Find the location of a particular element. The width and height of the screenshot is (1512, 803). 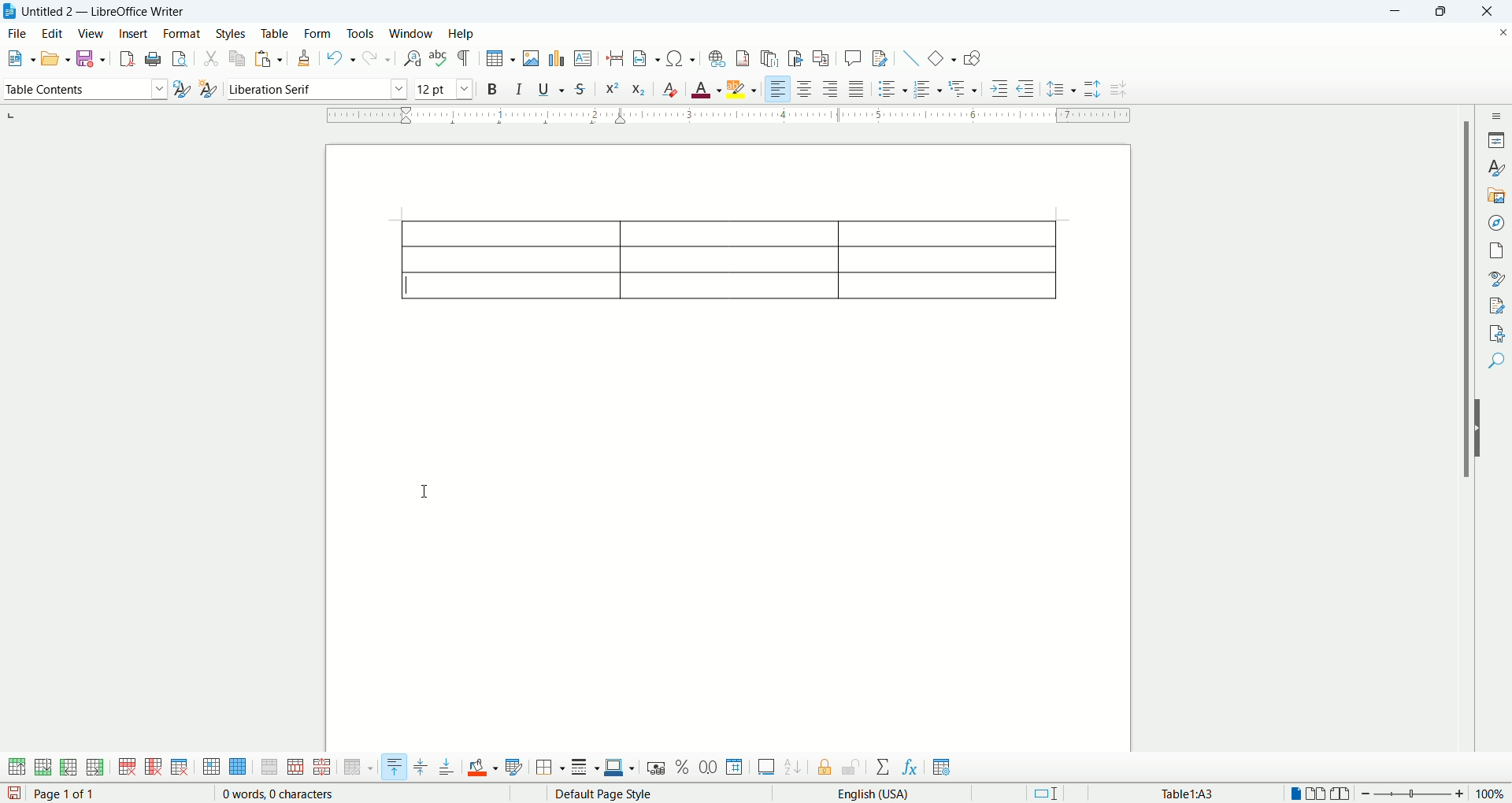

show track changes is located at coordinates (880, 58).